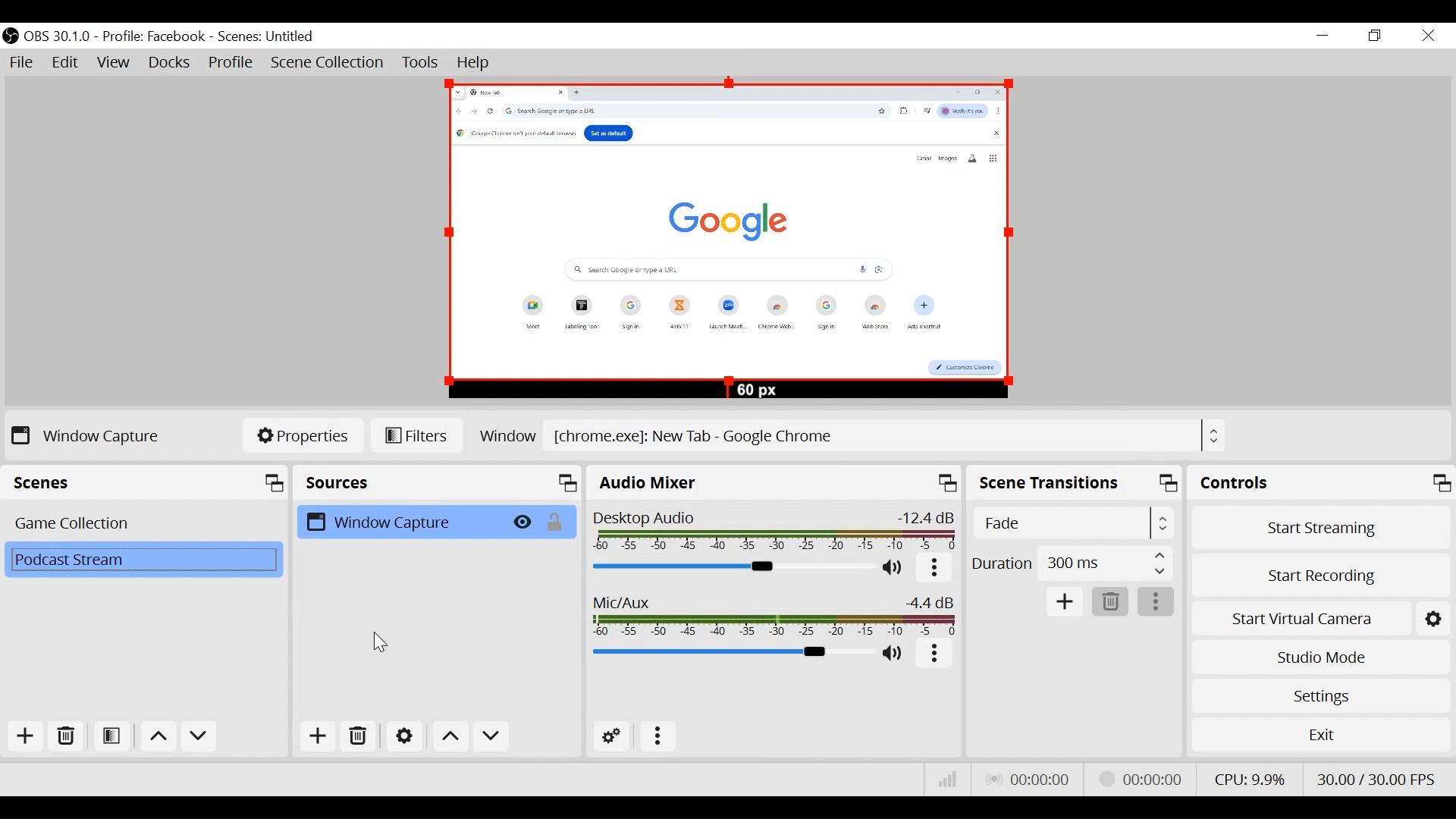 The image size is (1456, 819). I want to click on Remove, so click(64, 736).